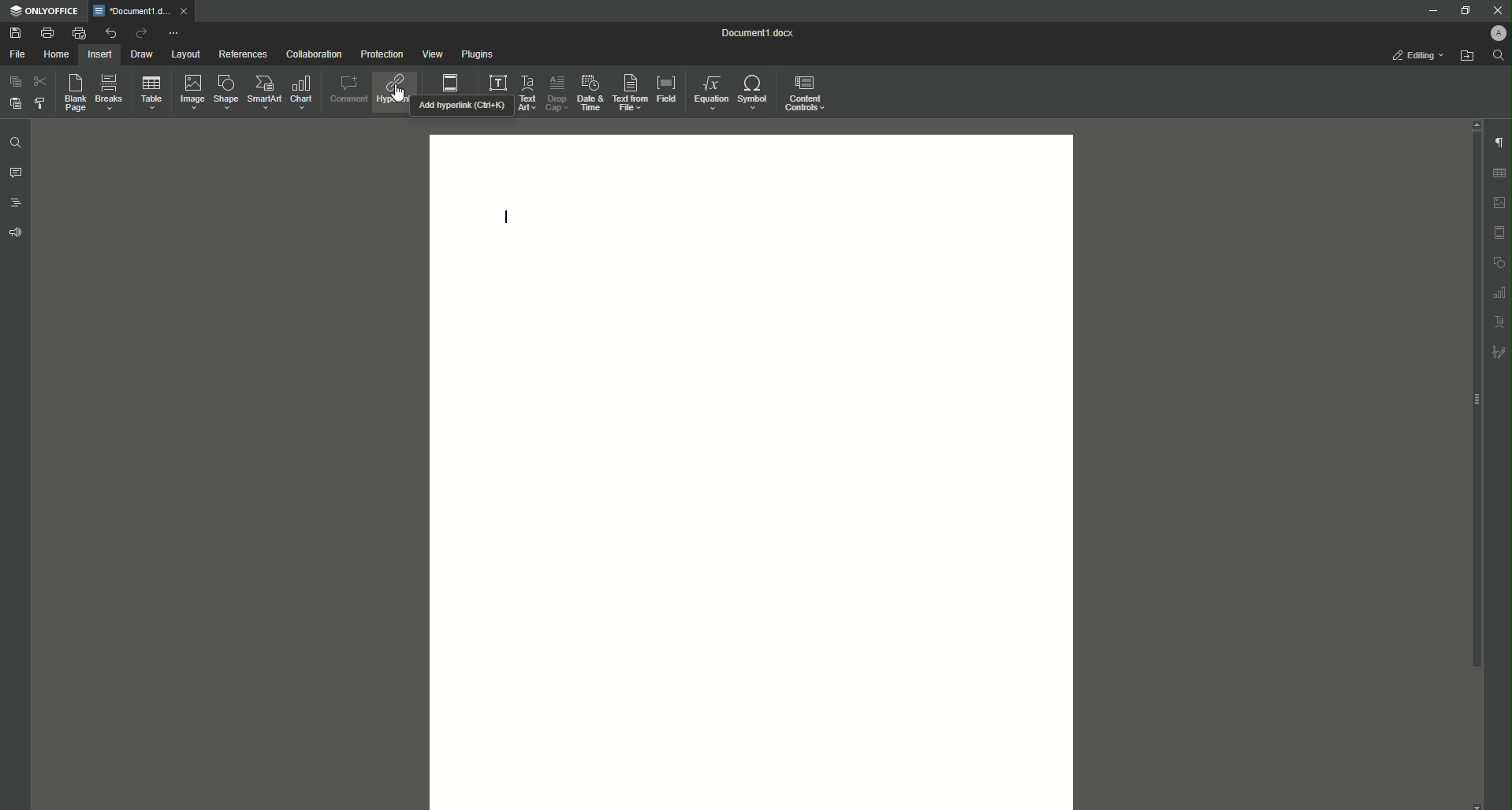 The image size is (1512, 810). Describe the element at coordinates (667, 89) in the screenshot. I see `Field` at that location.